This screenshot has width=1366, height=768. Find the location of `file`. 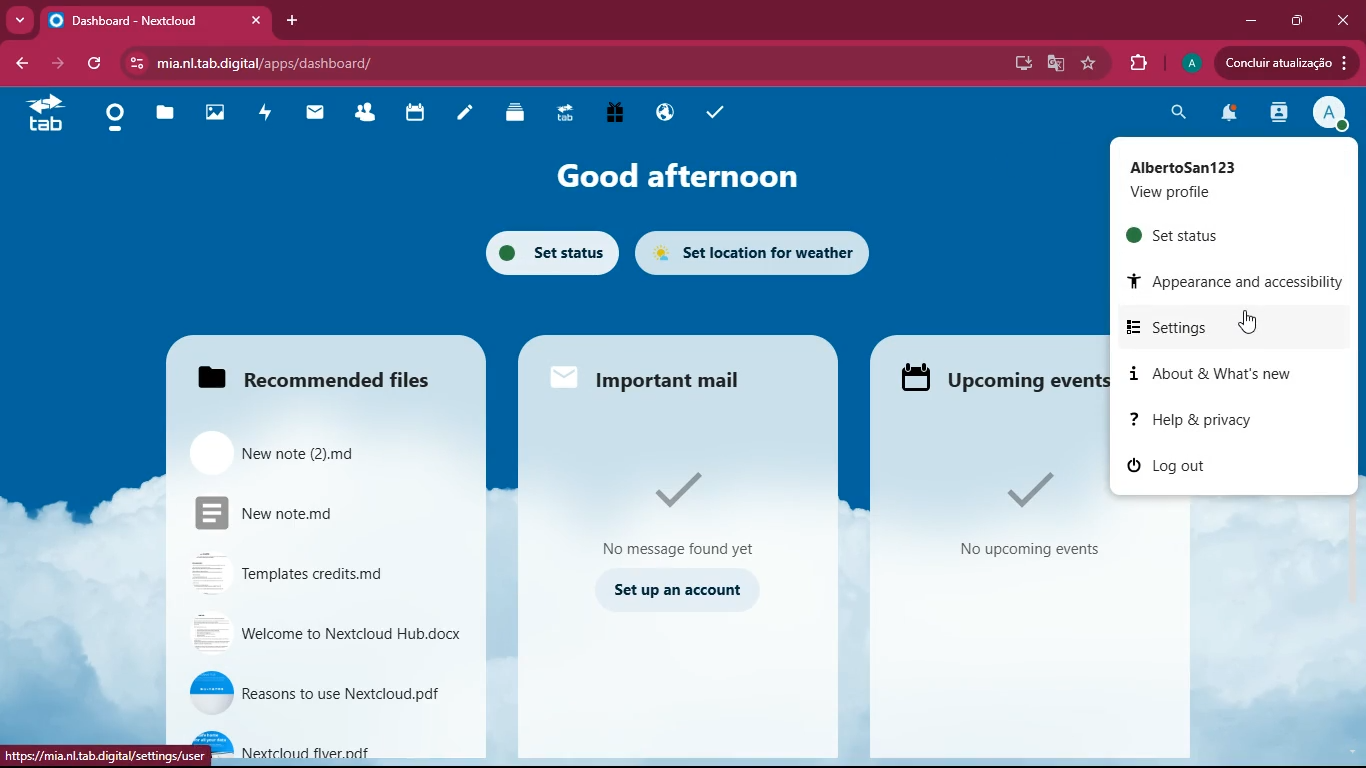

file is located at coordinates (303, 510).